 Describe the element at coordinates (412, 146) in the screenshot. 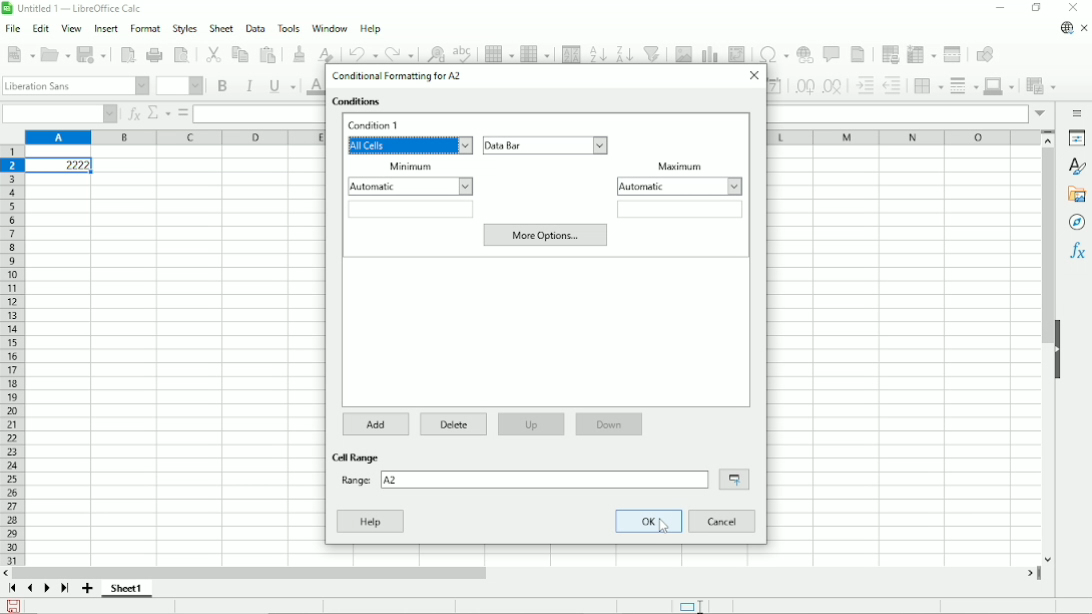

I see `All cells` at that location.